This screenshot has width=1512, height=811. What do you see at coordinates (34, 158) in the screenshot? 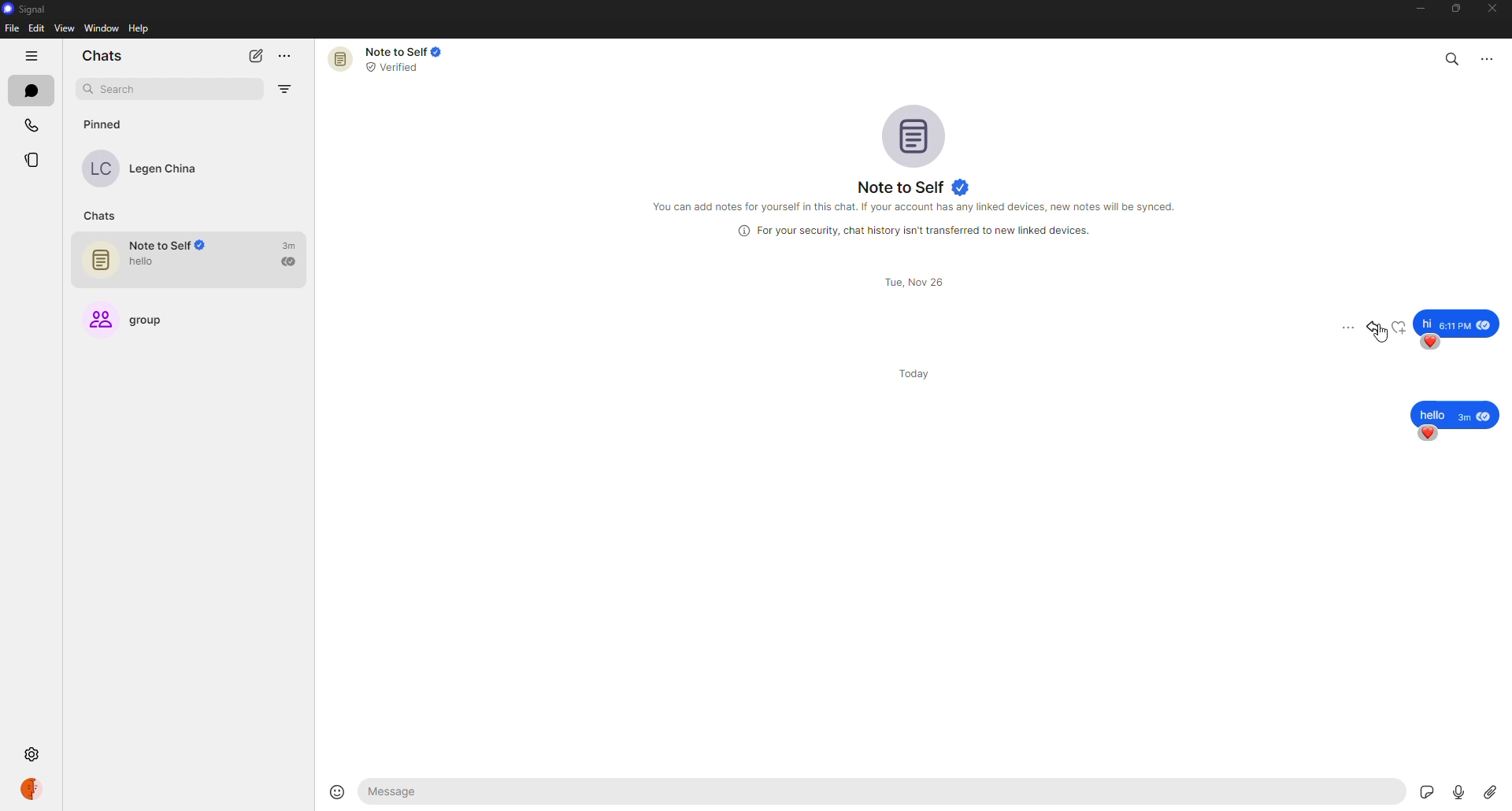
I see `stories` at bounding box center [34, 158].